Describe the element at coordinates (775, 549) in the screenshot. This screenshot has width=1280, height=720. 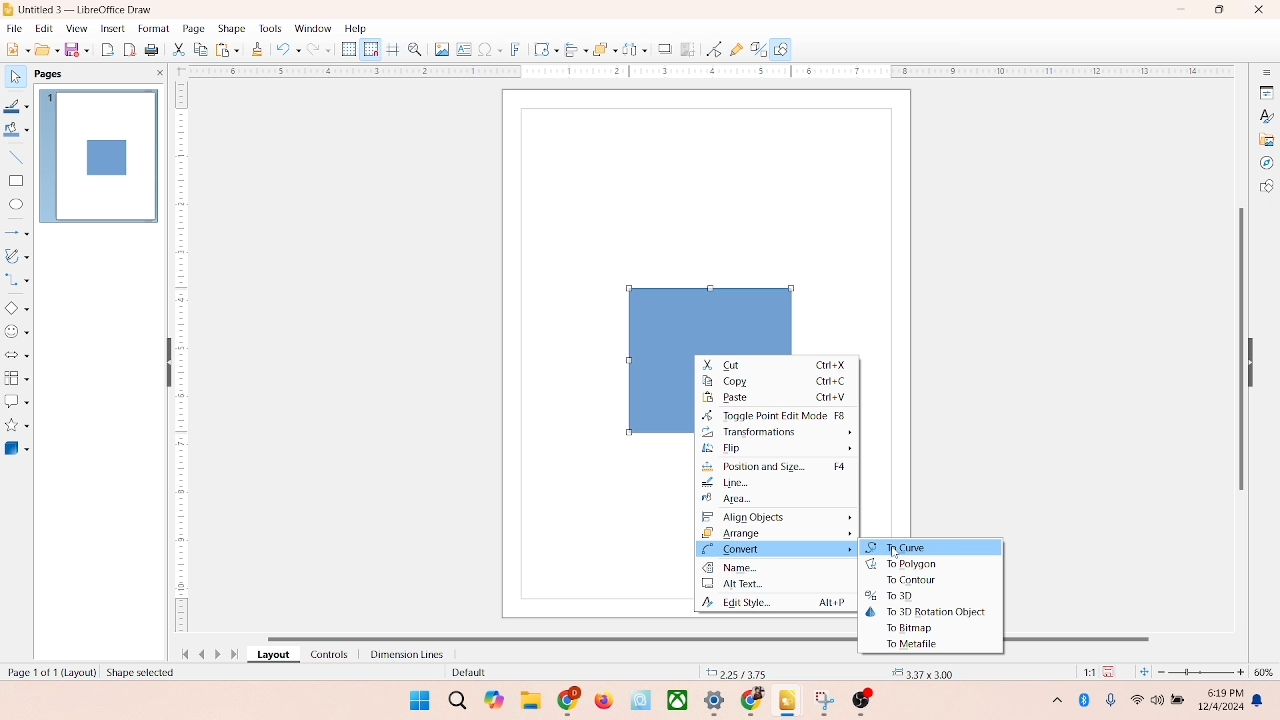
I see `convert` at that location.